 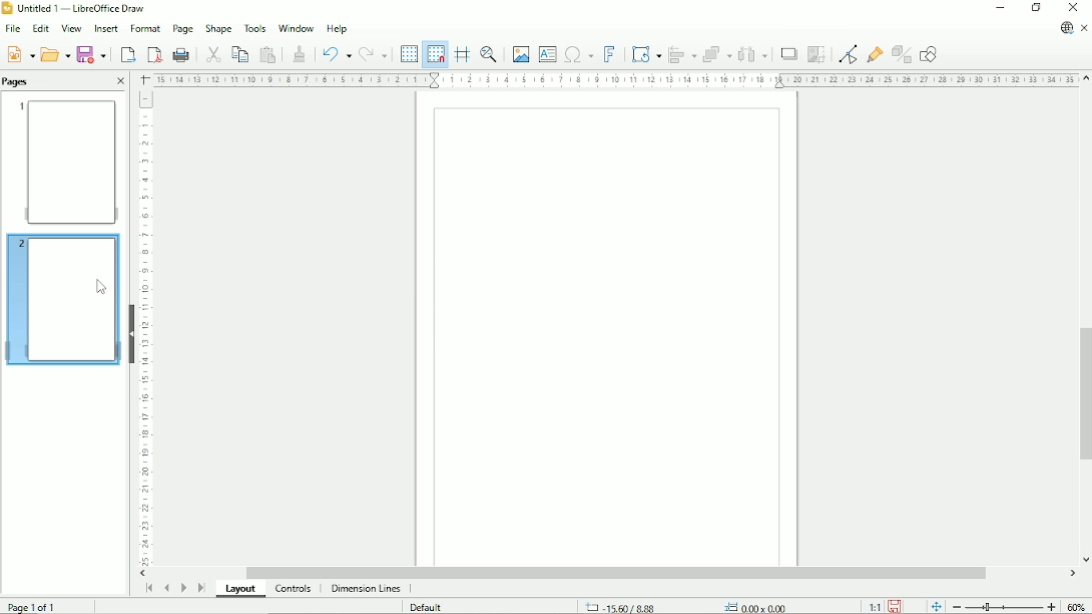 I want to click on Insert special character, so click(x=578, y=53).